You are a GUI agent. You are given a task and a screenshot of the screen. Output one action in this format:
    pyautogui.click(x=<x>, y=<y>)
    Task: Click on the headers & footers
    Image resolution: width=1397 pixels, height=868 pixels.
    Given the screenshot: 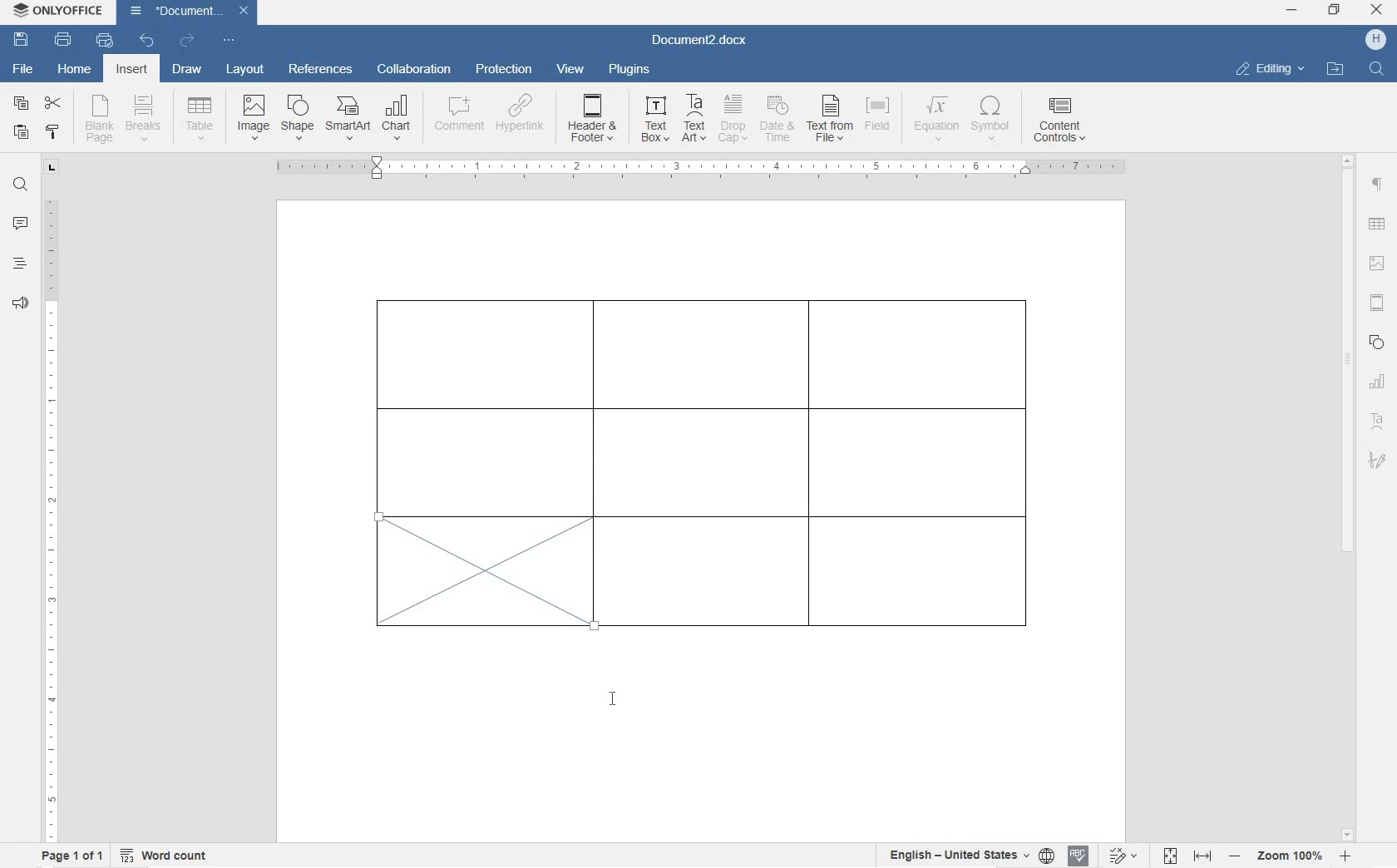 What is the action you would take?
    pyautogui.click(x=1378, y=304)
    